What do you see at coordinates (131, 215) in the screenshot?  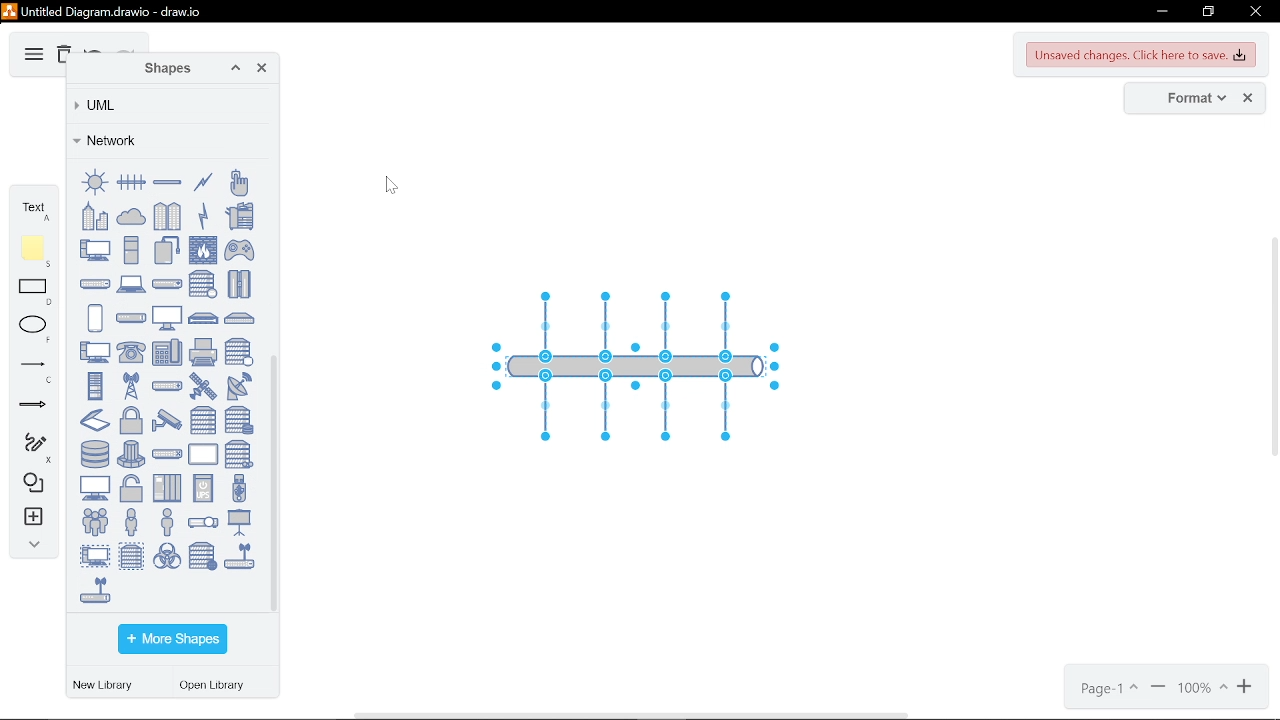 I see `cloud` at bounding box center [131, 215].